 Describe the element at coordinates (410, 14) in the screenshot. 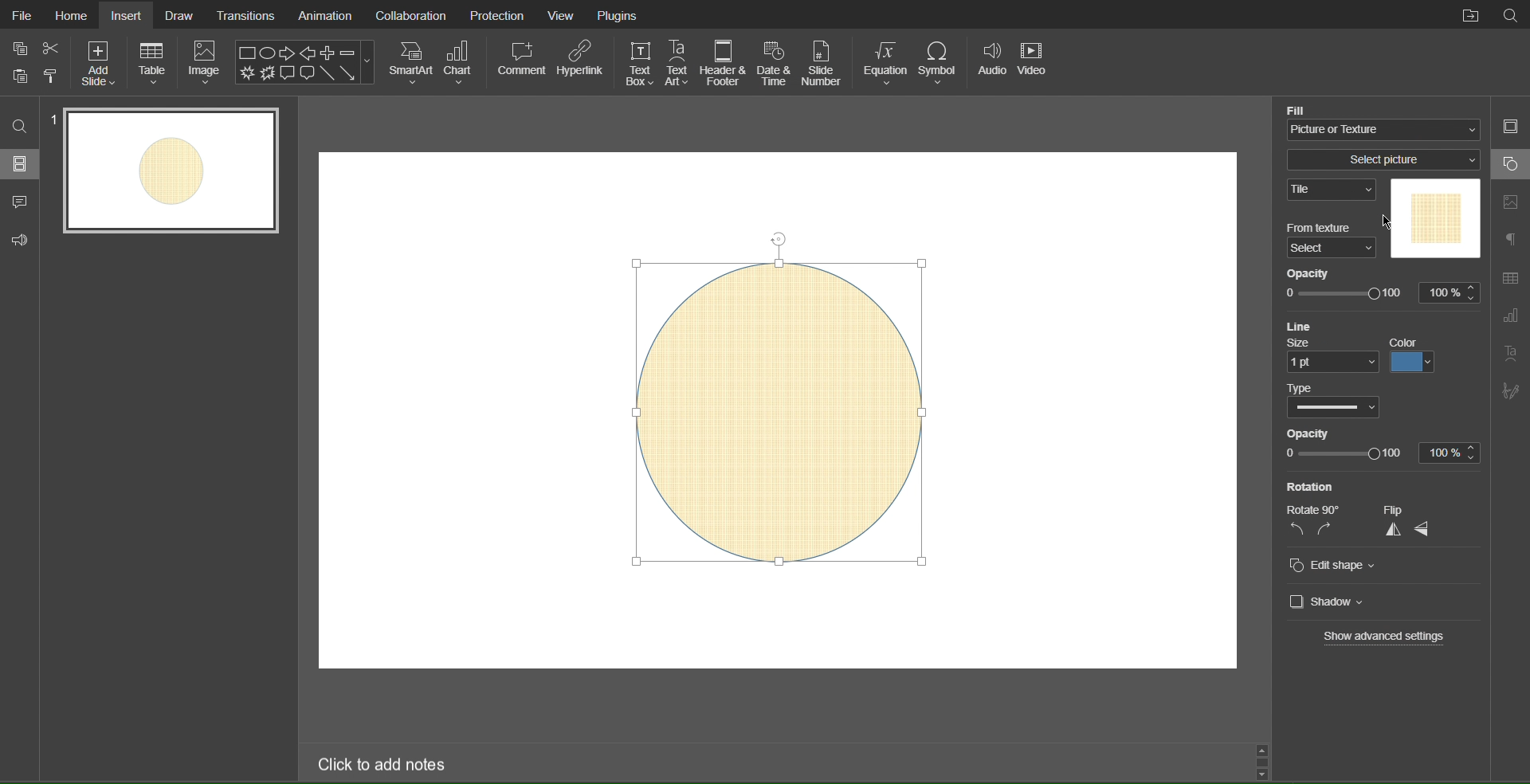

I see `Collaboration` at that location.